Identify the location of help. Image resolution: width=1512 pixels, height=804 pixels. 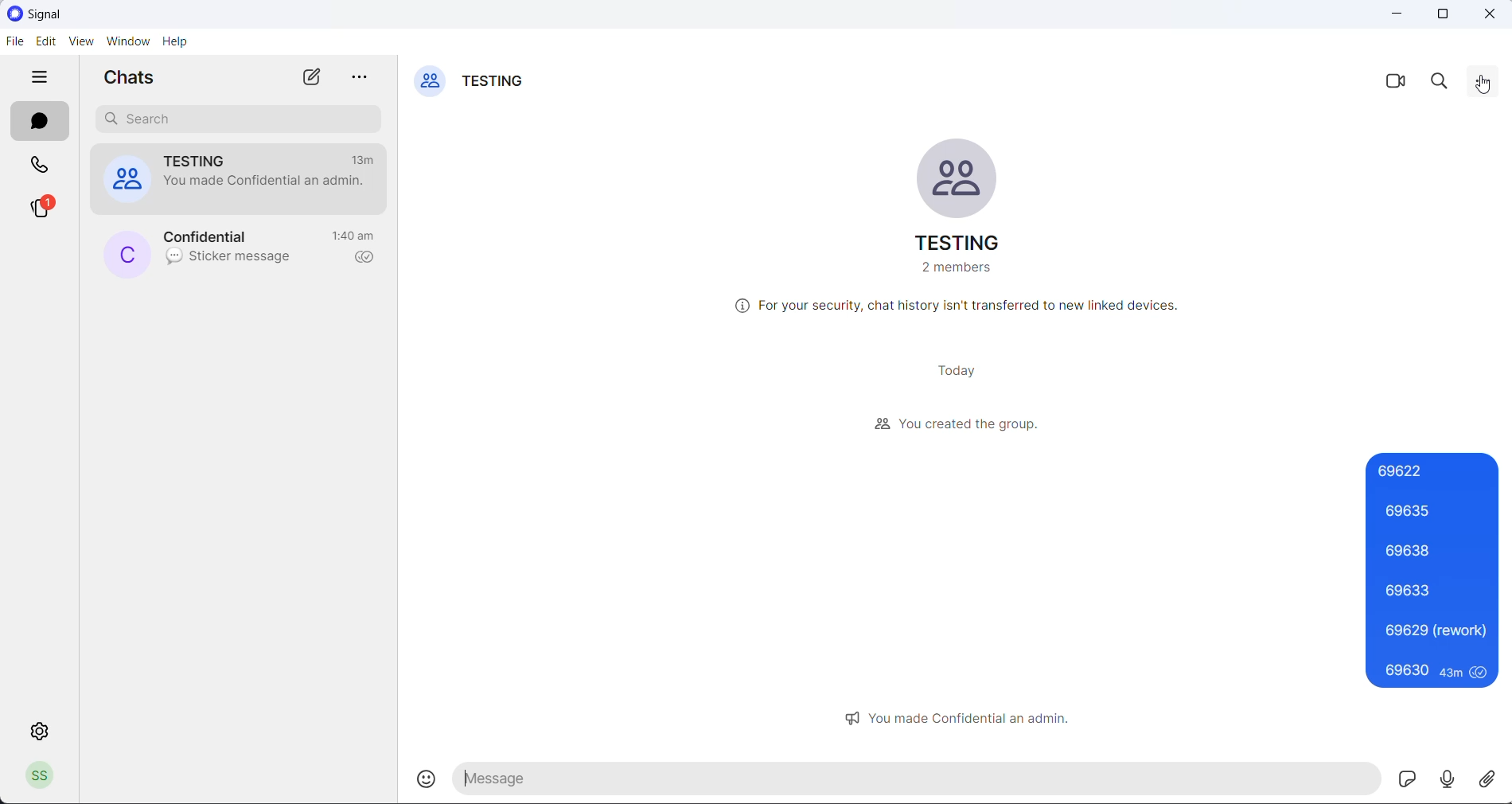
(178, 42).